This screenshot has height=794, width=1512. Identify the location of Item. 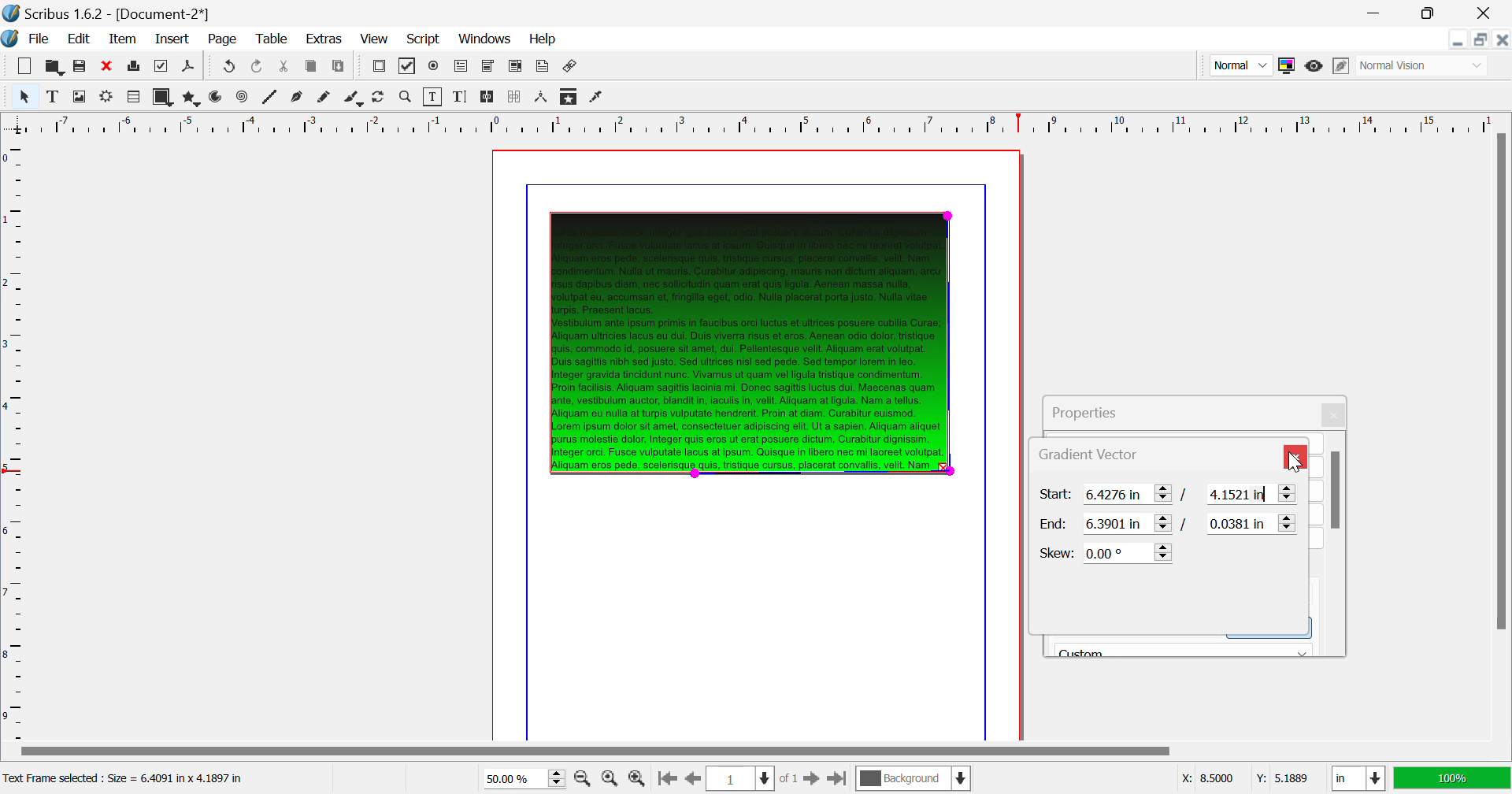
(124, 39).